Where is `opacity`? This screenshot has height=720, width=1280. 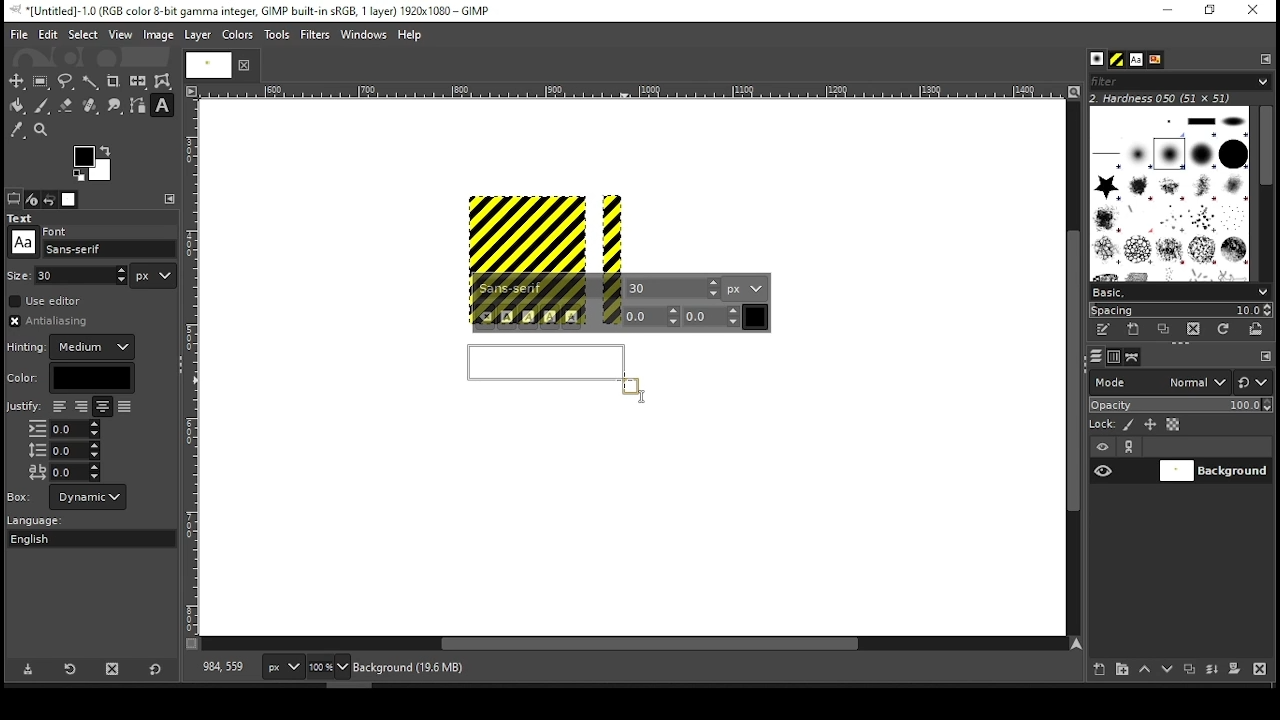 opacity is located at coordinates (1179, 407).